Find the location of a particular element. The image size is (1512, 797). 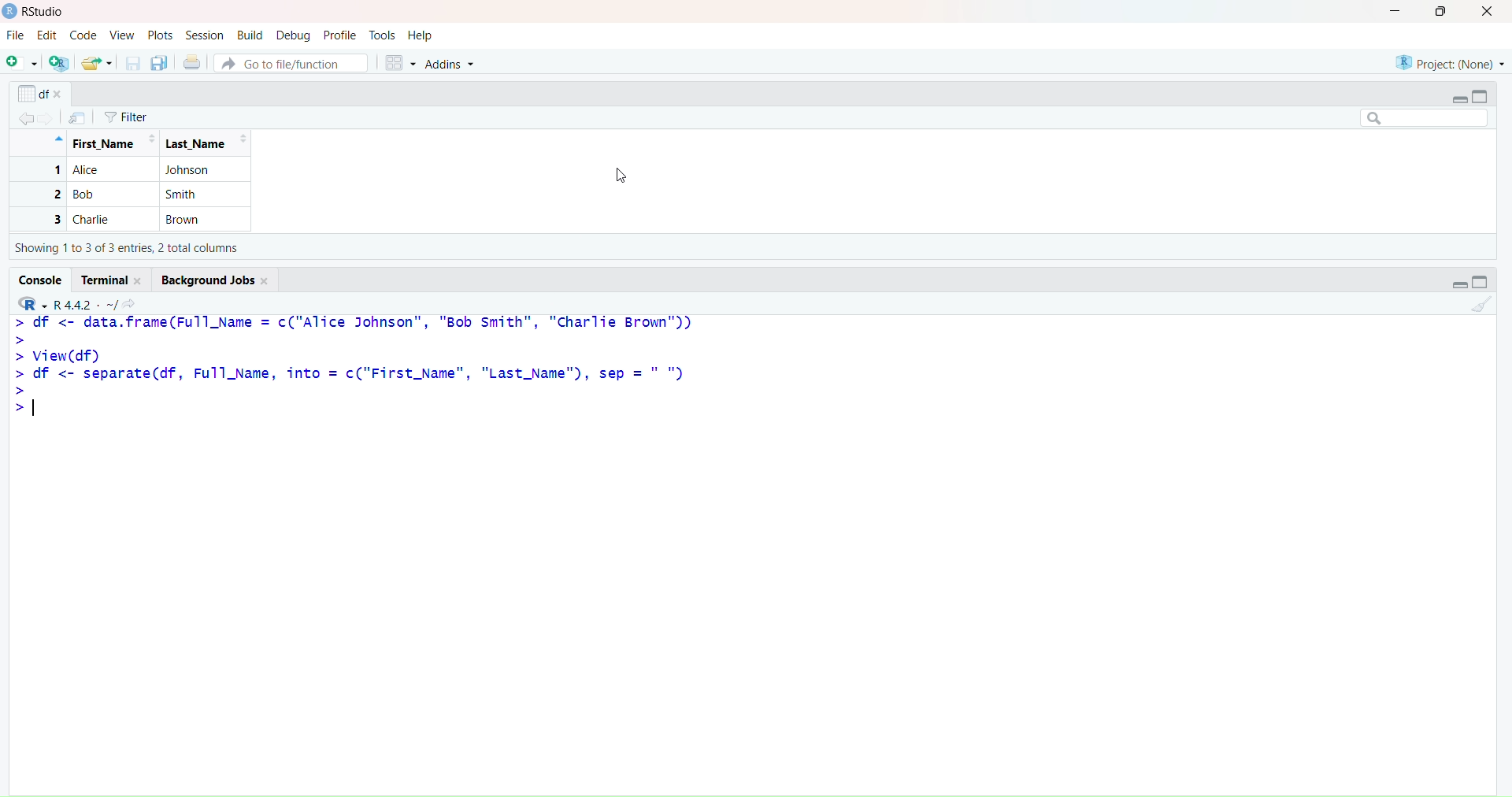

> df <- data.frame(Full_Name = c("Alice Johnson", "Bob smith", "Charlie Brown"))

>

> View(df)

> df <- separate(df, Full_Name, into = c("First_Name", "Last_Name"), sep =" ")
I 1 is located at coordinates (358, 371).